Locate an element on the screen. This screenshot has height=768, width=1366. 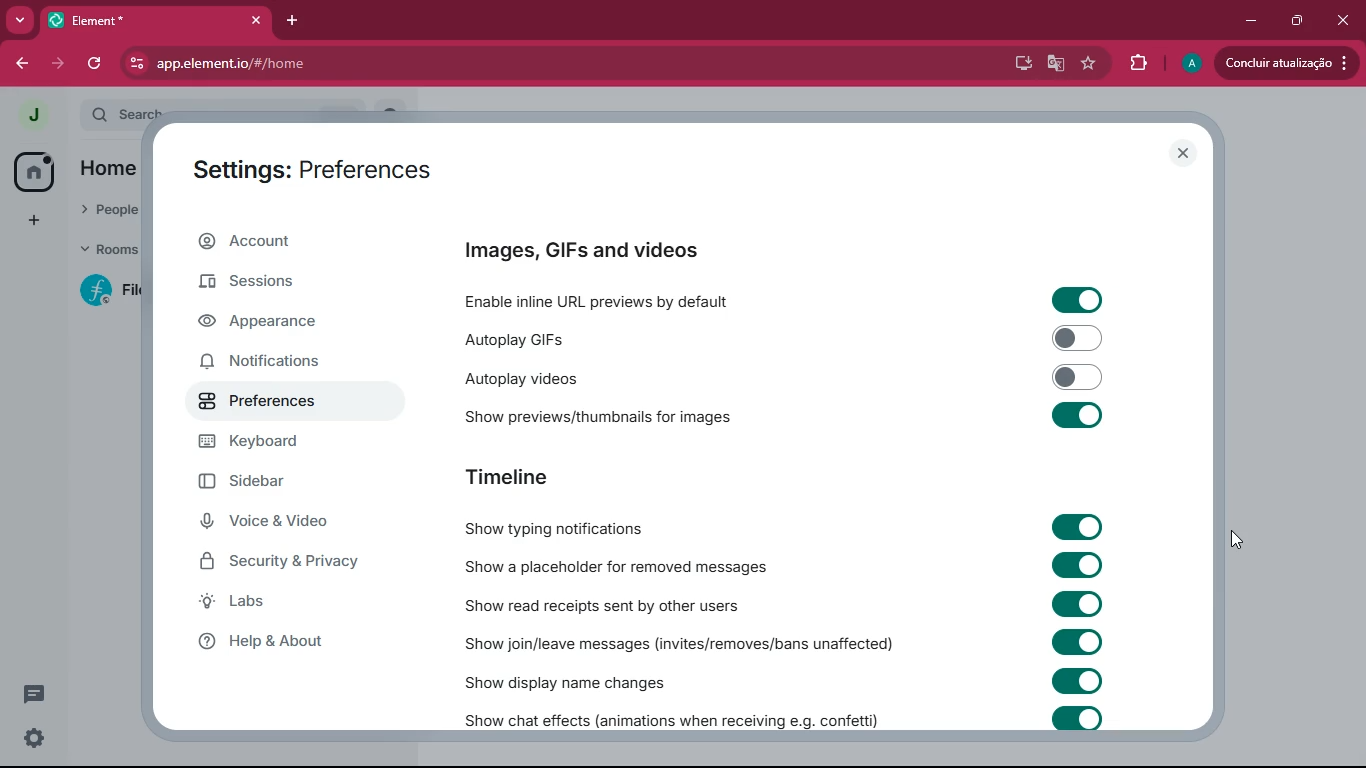
close tab is located at coordinates (256, 21).